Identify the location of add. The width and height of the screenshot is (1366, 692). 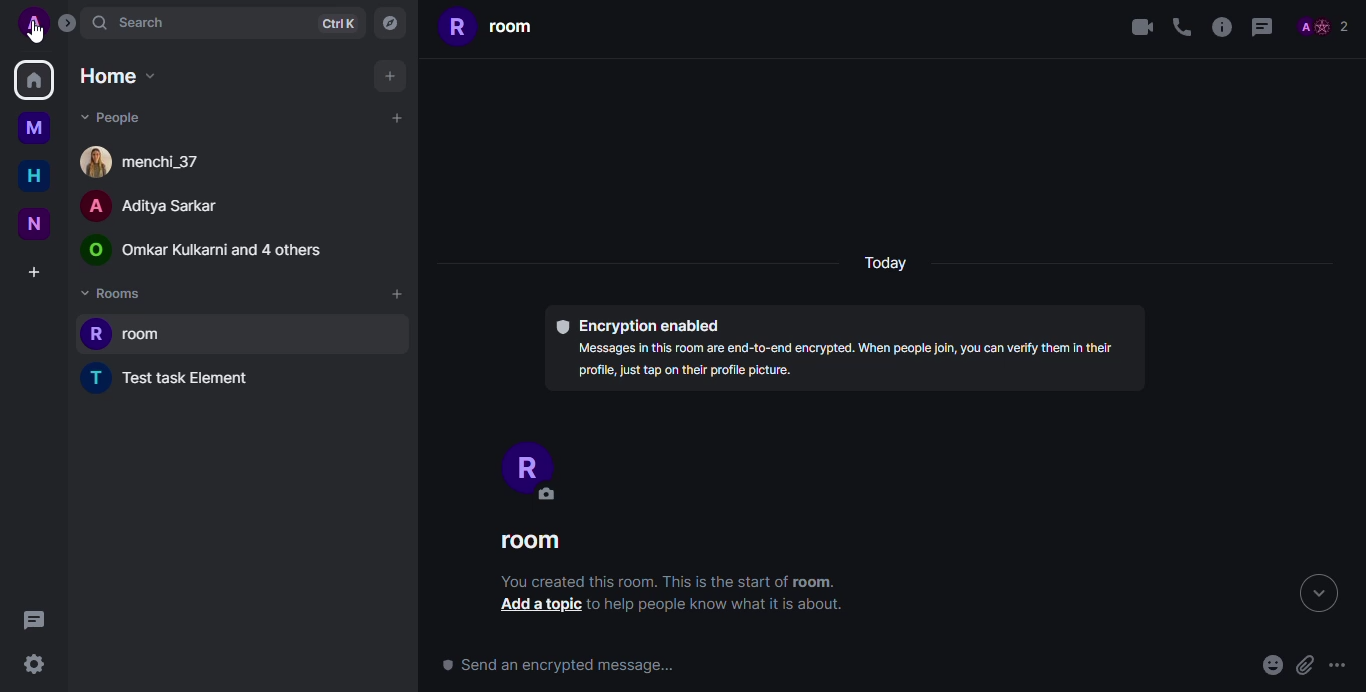
(396, 295).